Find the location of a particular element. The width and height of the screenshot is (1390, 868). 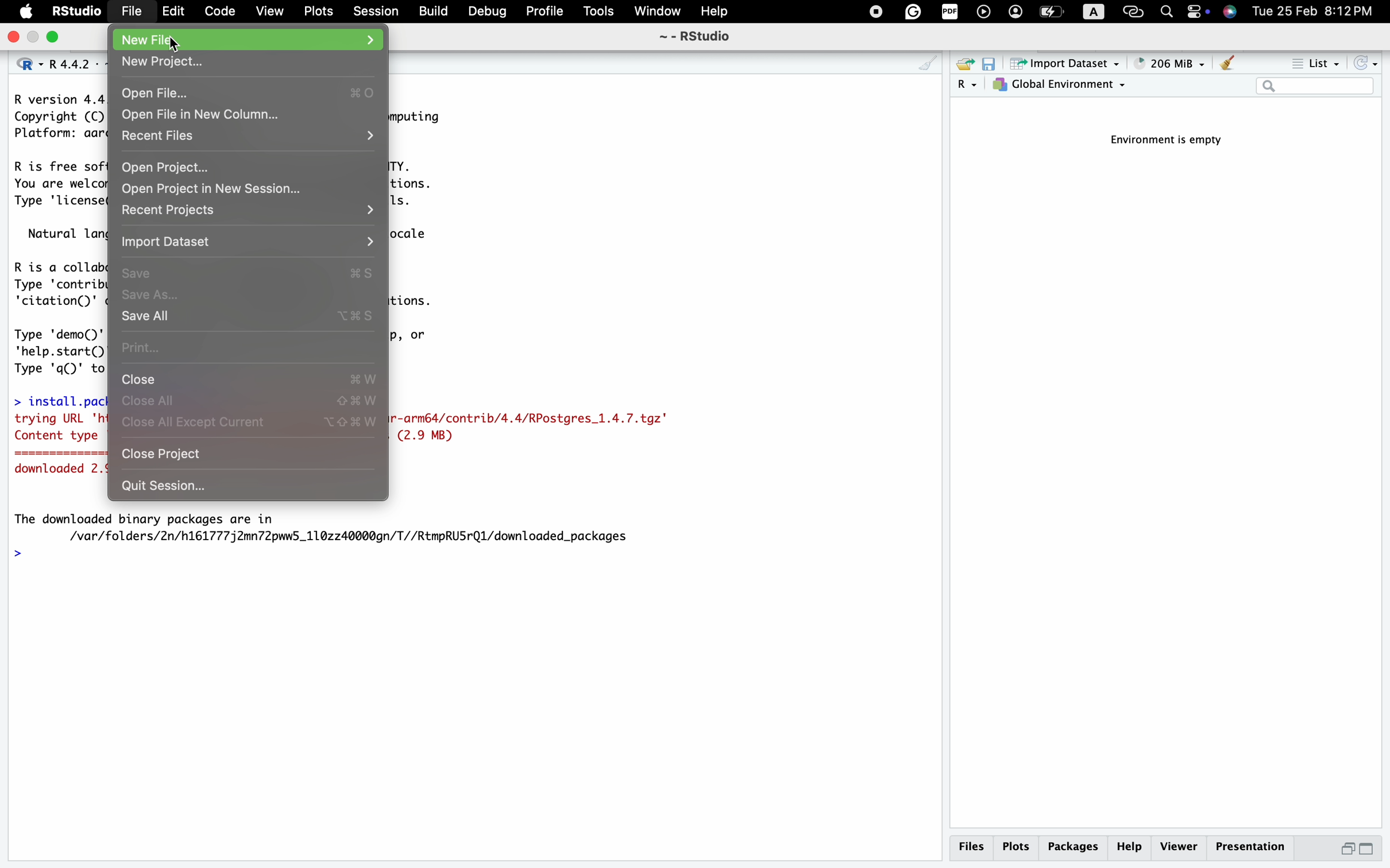

list is located at coordinates (1314, 65).